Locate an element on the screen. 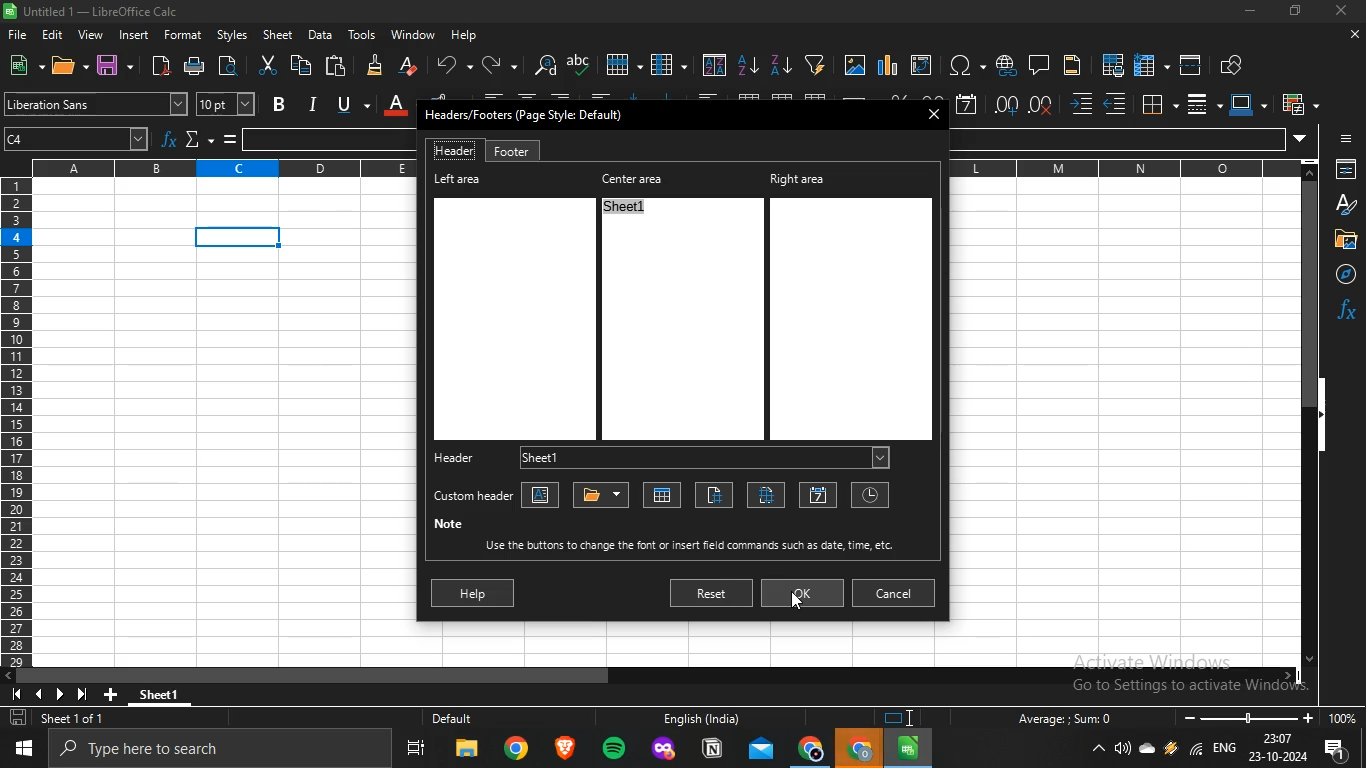 Image resolution: width=1366 pixels, height=768 pixels. date and time is located at coordinates (1277, 749).